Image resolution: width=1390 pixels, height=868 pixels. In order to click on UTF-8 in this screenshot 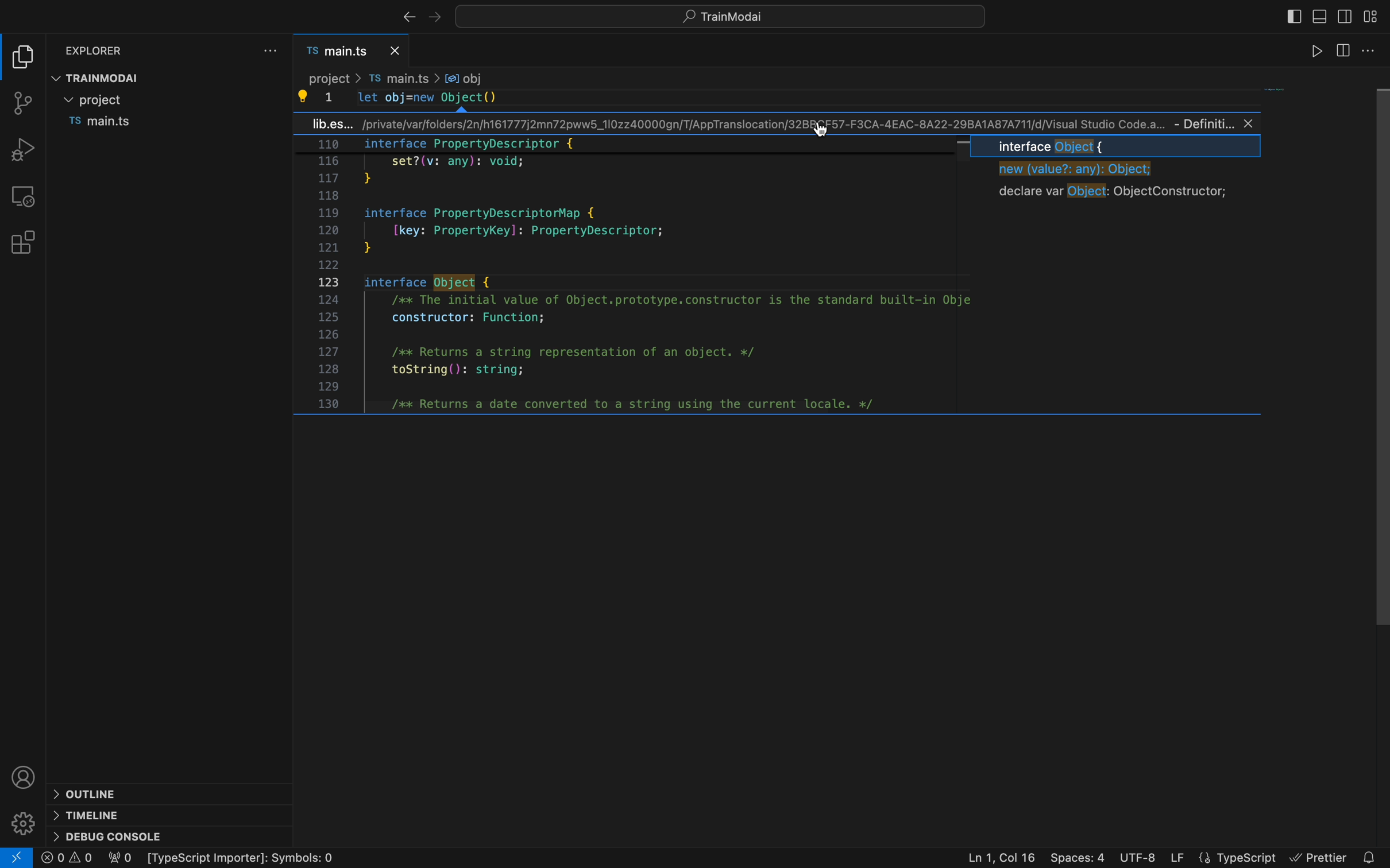, I will do `click(1138, 856)`.